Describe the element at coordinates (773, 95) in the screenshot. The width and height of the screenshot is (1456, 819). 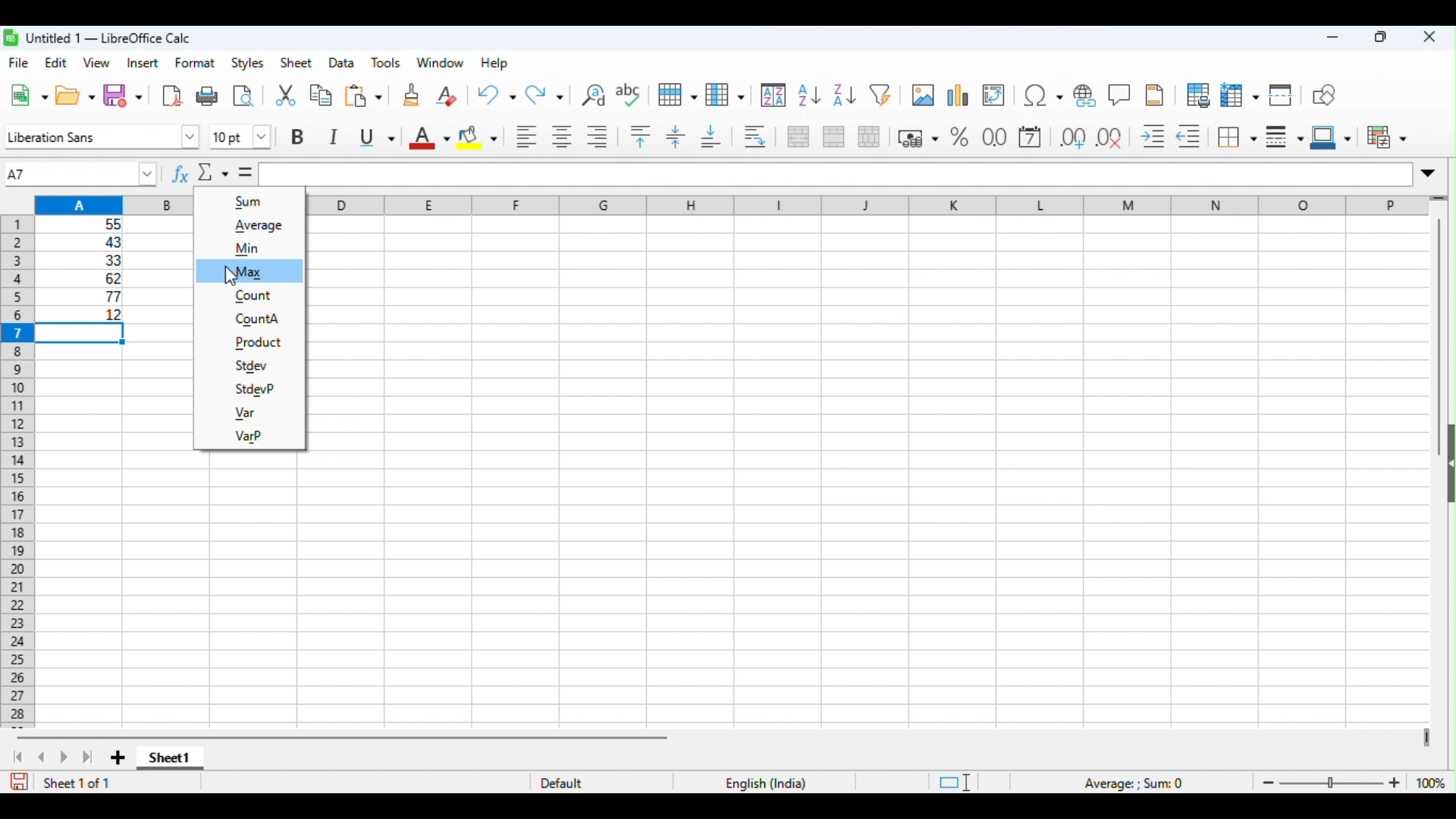
I see `sort` at that location.